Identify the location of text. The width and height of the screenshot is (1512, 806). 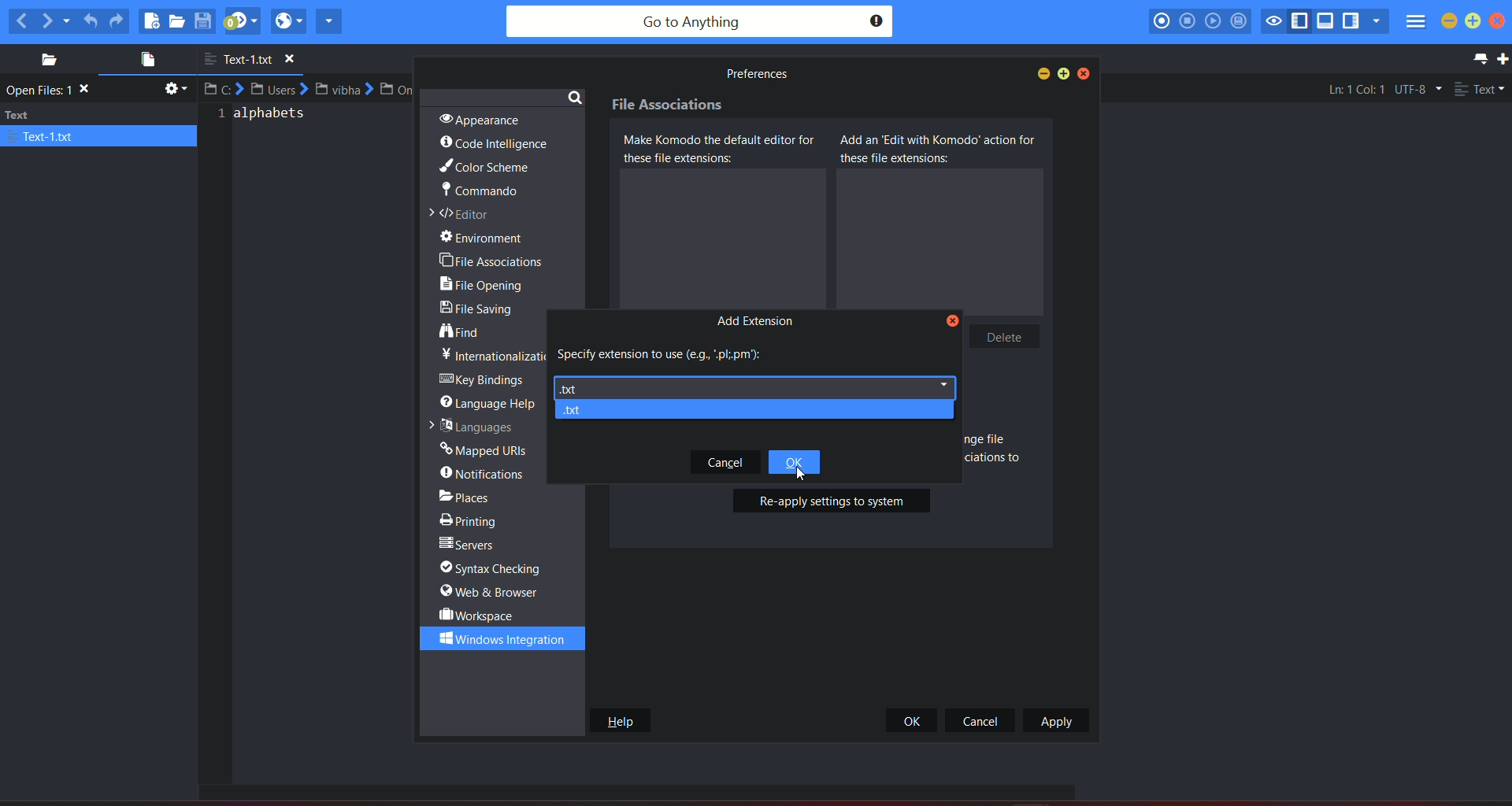
(1002, 449).